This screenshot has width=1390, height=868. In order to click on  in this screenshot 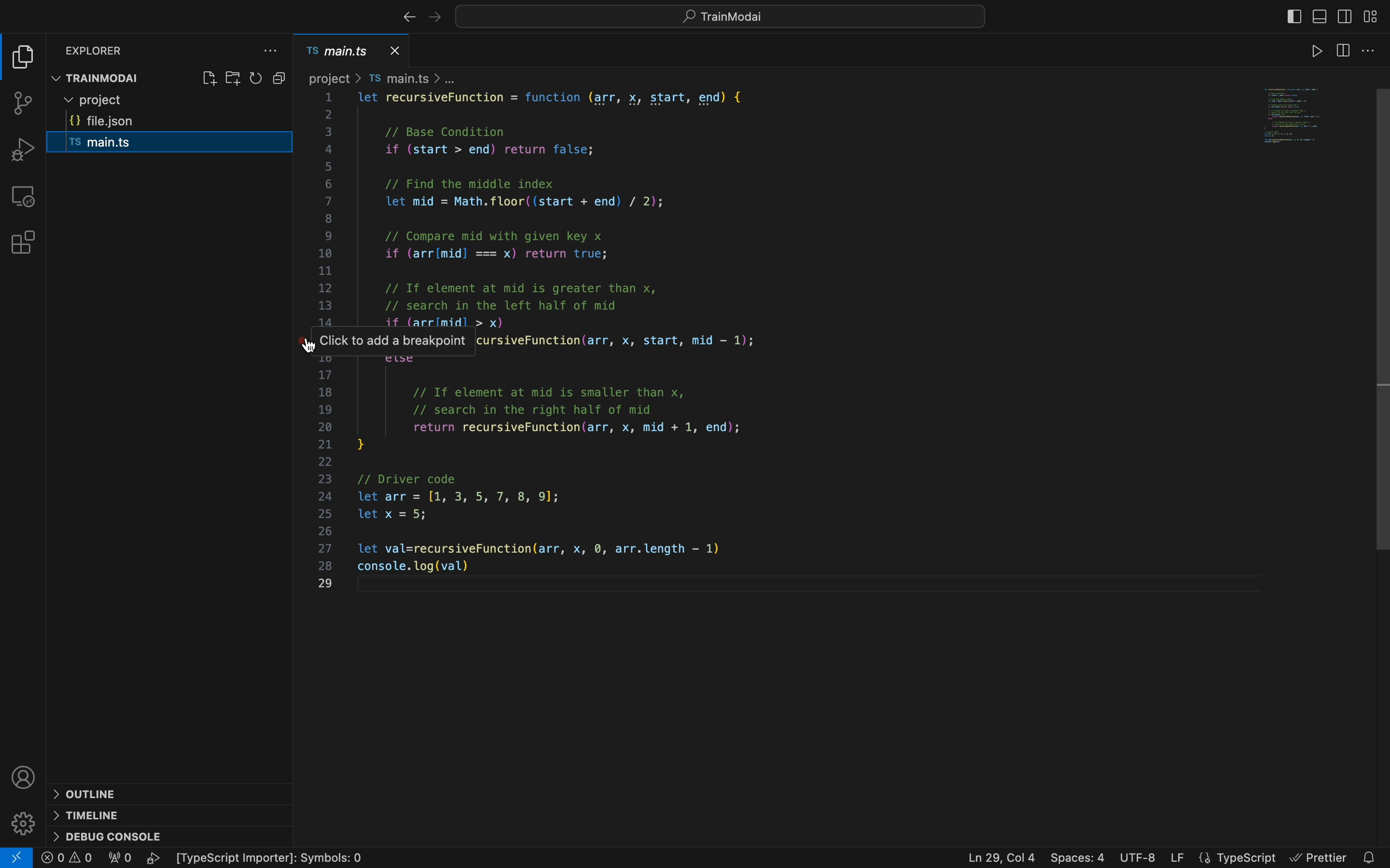, I will do `click(17, 856)`.